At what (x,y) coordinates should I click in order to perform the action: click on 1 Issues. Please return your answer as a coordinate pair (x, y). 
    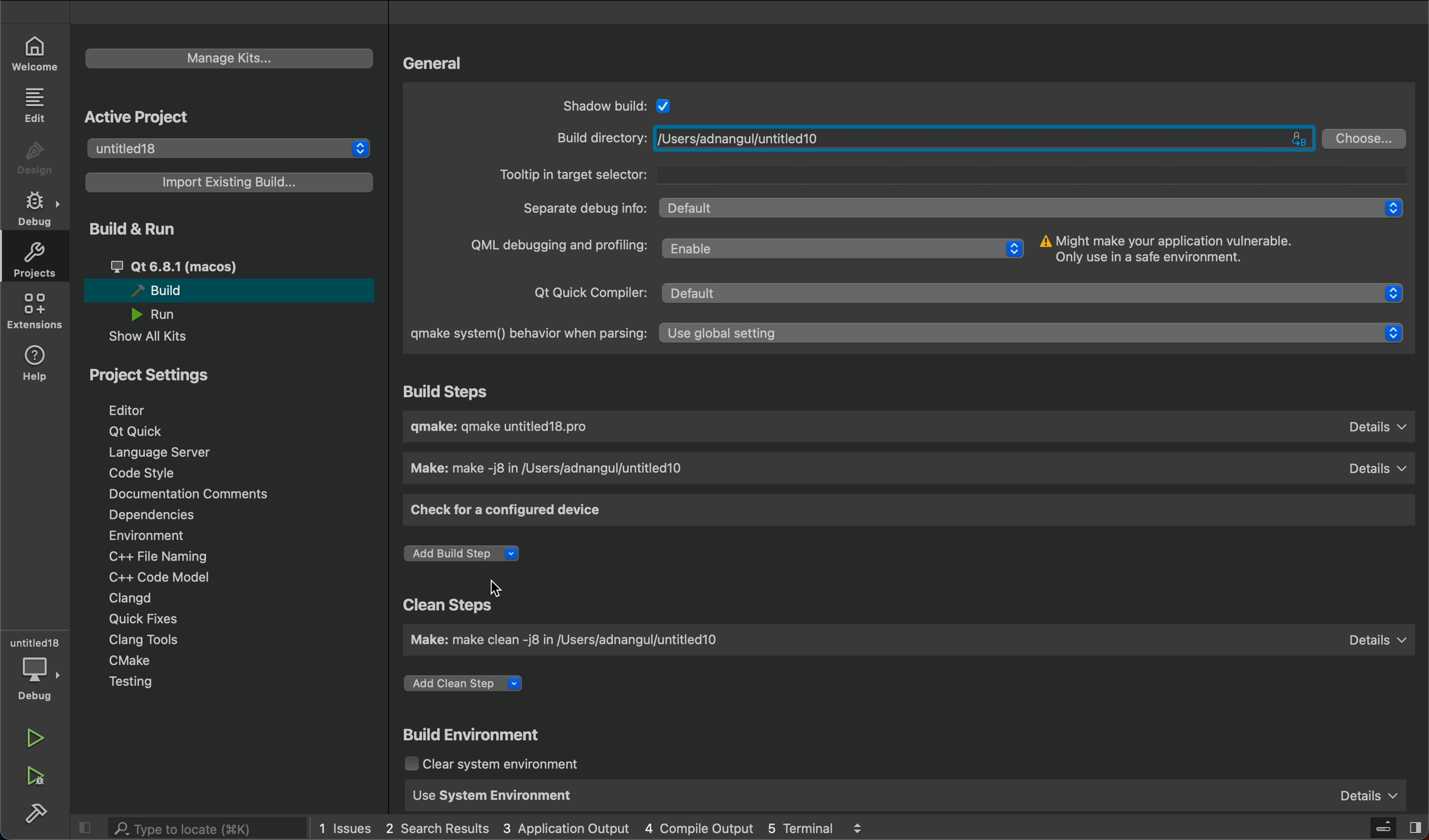
    Looking at the image, I should click on (344, 826).